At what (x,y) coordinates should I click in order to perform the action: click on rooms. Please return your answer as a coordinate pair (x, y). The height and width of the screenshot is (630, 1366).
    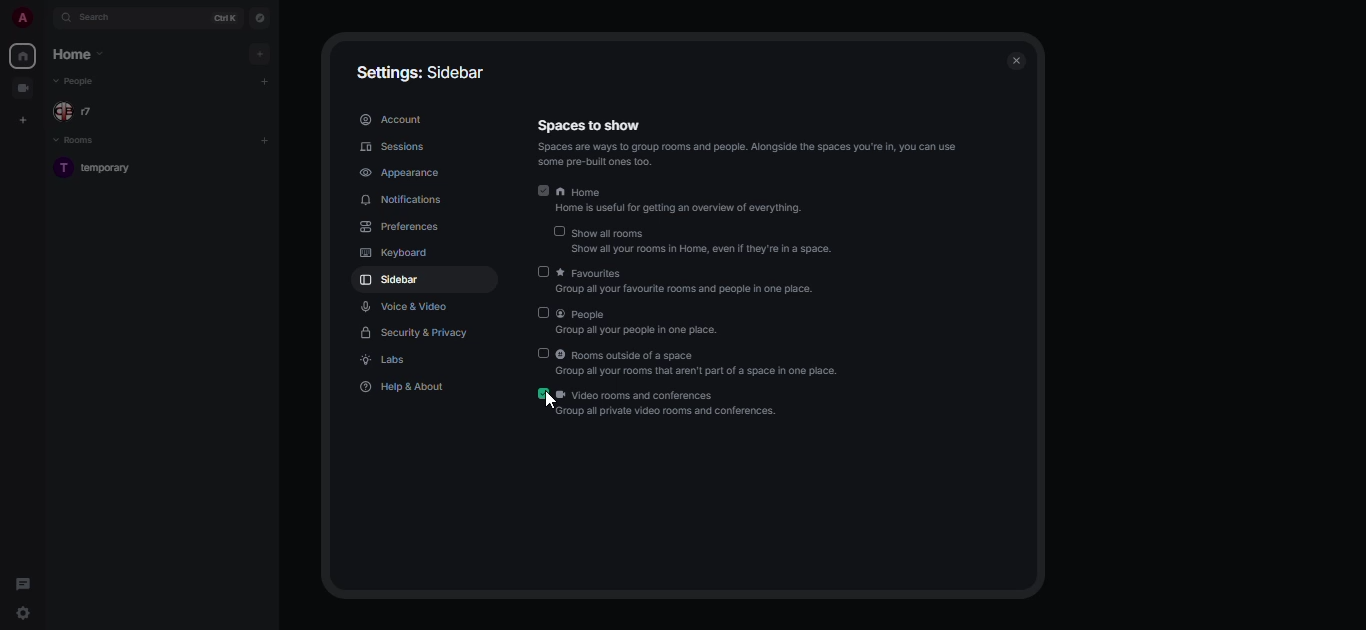
    Looking at the image, I should click on (89, 141).